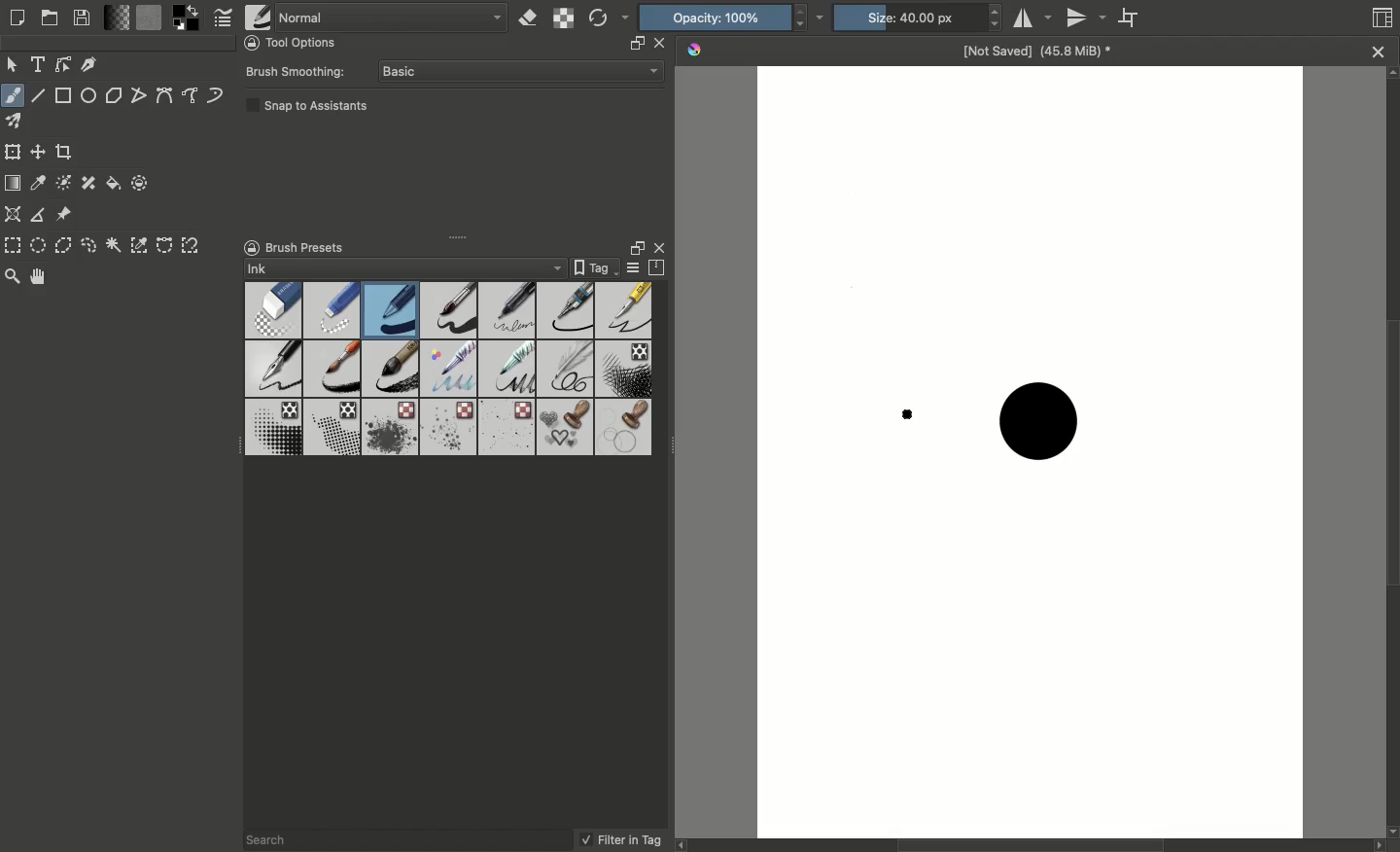 The width and height of the screenshot is (1400, 852). I want to click on Open, so click(51, 18).